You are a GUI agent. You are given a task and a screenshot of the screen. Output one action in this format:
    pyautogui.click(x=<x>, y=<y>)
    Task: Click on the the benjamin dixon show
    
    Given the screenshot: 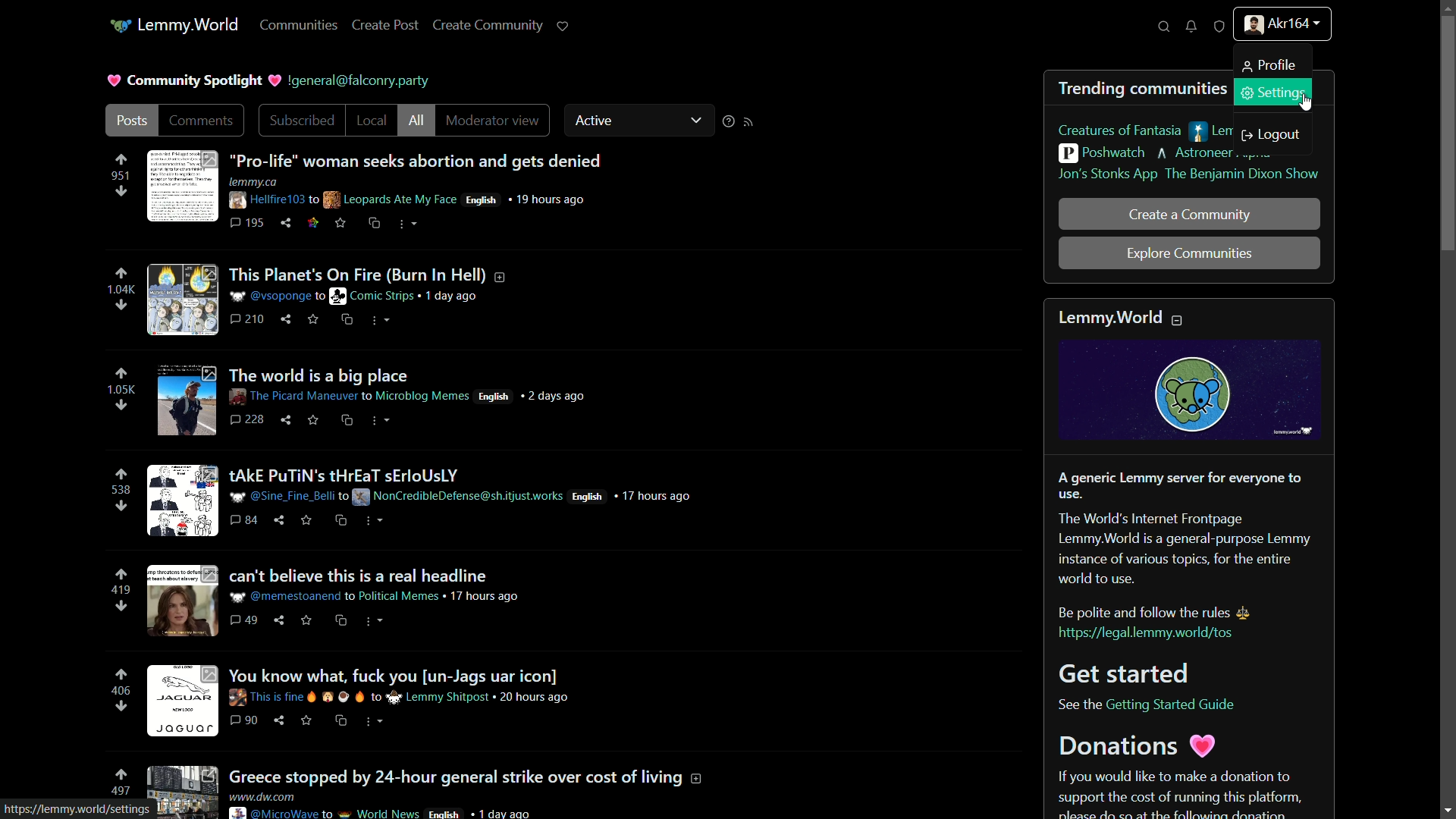 What is the action you would take?
    pyautogui.click(x=1241, y=174)
    